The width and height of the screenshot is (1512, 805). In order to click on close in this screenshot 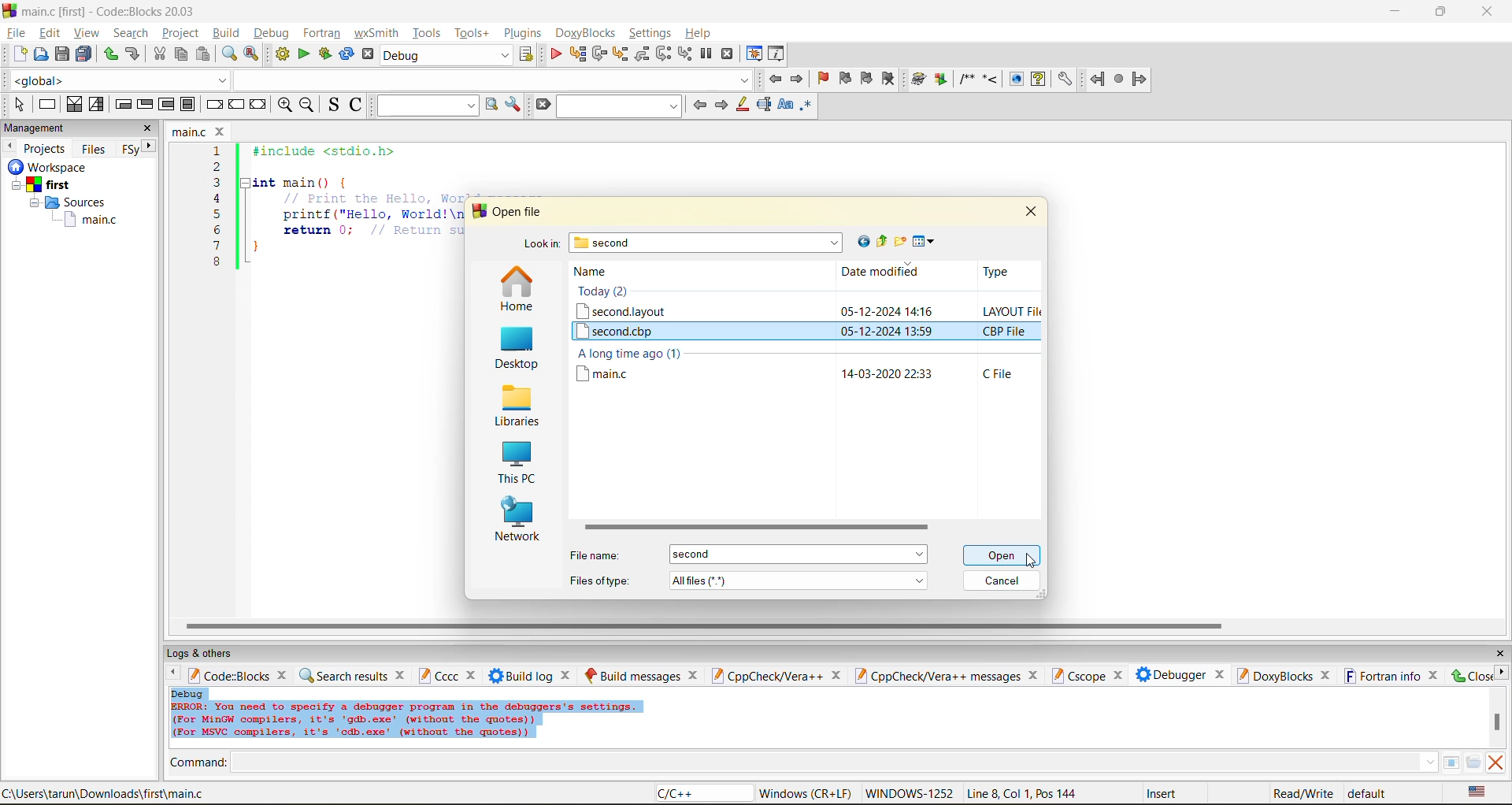, I will do `click(402, 674)`.